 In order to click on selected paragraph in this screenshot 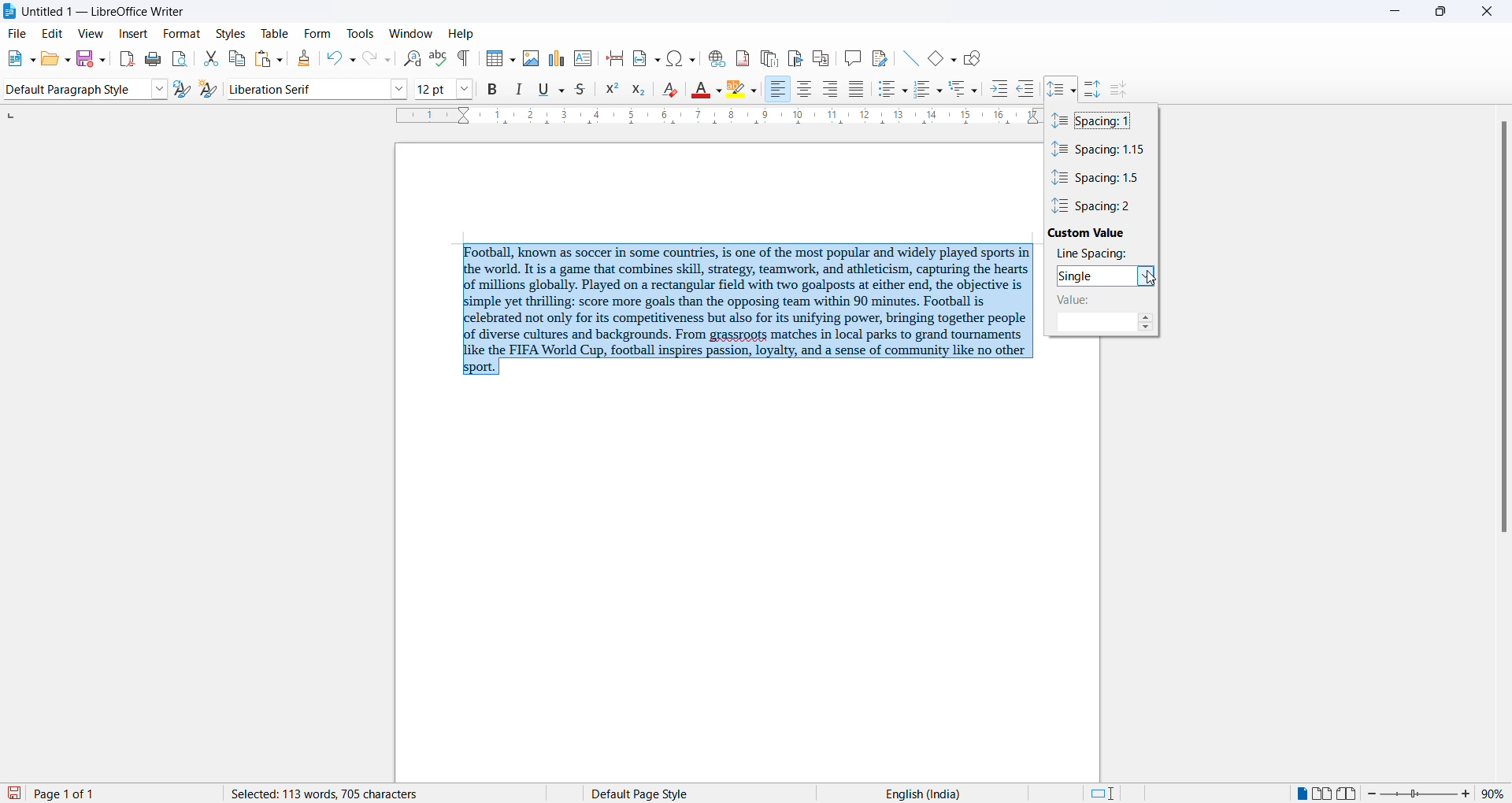, I will do `click(739, 311)`.